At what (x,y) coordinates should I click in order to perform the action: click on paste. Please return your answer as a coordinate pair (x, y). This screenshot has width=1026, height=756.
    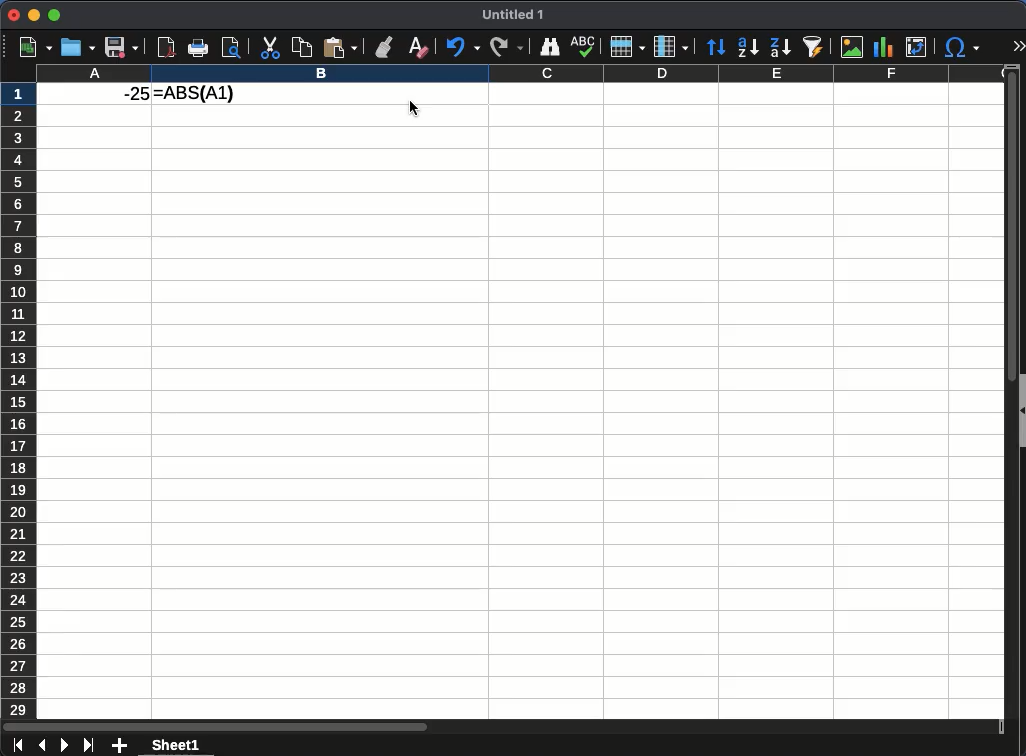
    Looking at the image, I should click on (300, 47).